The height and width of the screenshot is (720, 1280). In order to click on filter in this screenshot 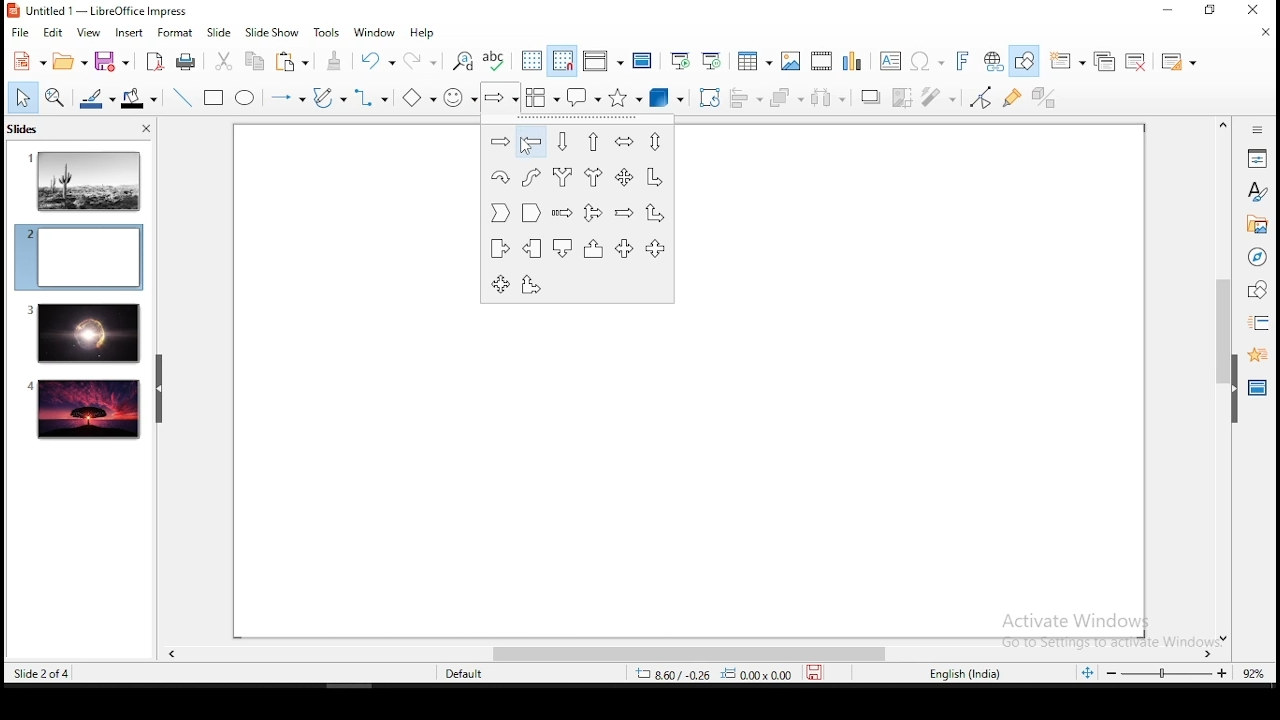, I will do `click(939, 97)`.